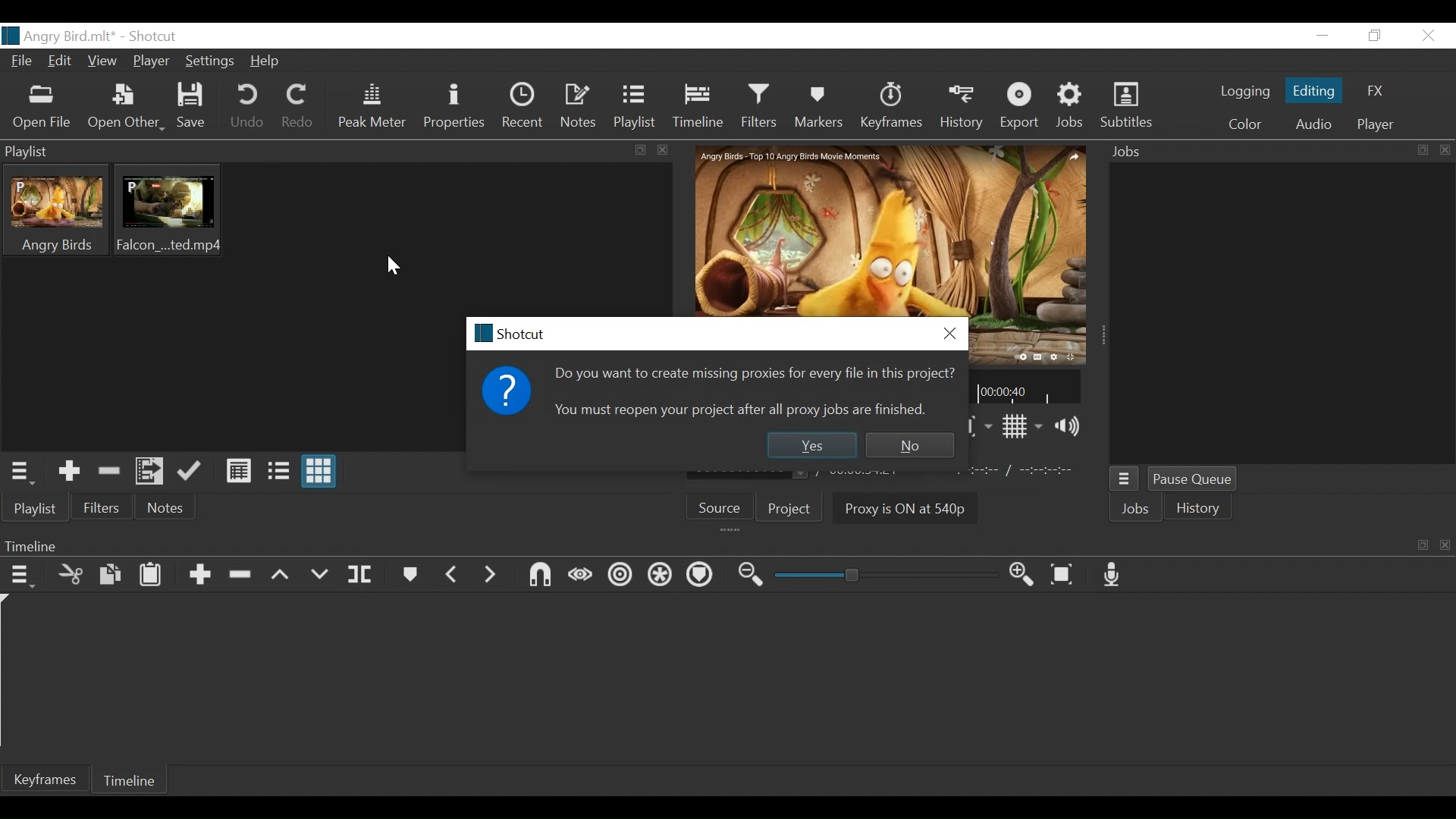 The width and height of the screenshot is (1456, 819). What do you see at coordinates (1068, 426) in the screenshot?
I see `Show volume control` at bounding box center [1068, 426].